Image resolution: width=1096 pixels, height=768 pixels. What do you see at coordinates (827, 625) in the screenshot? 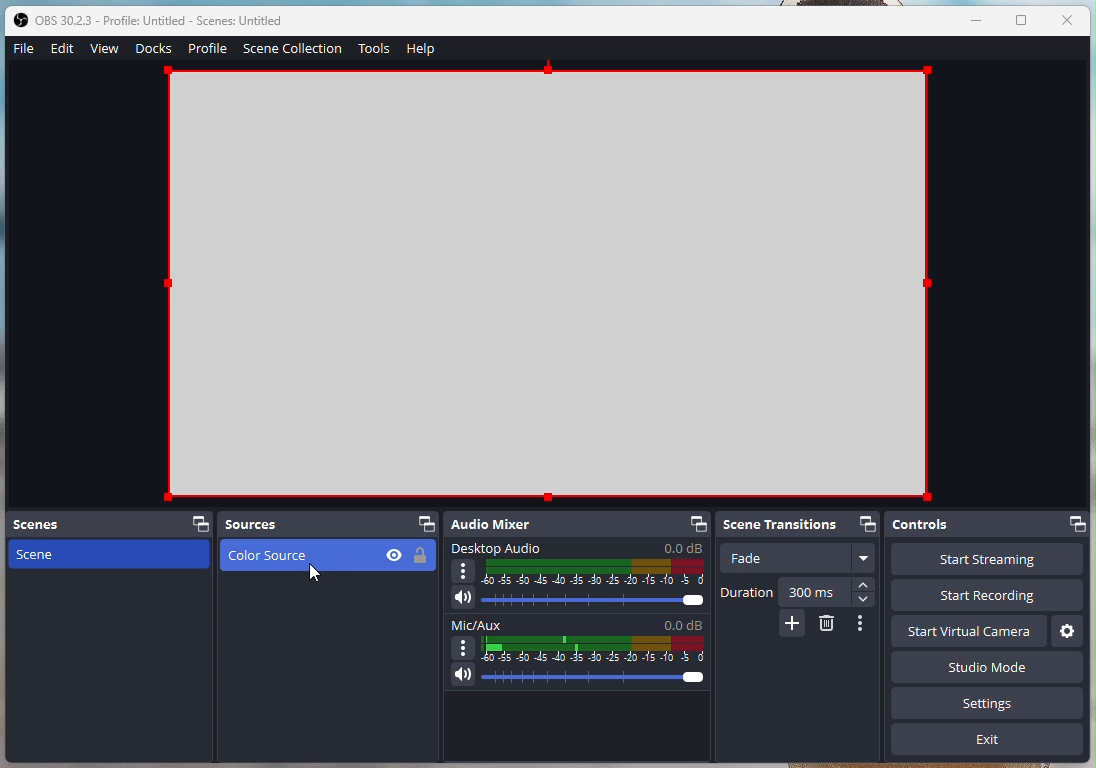
I see `Erase` at bounding box center [827, 625].